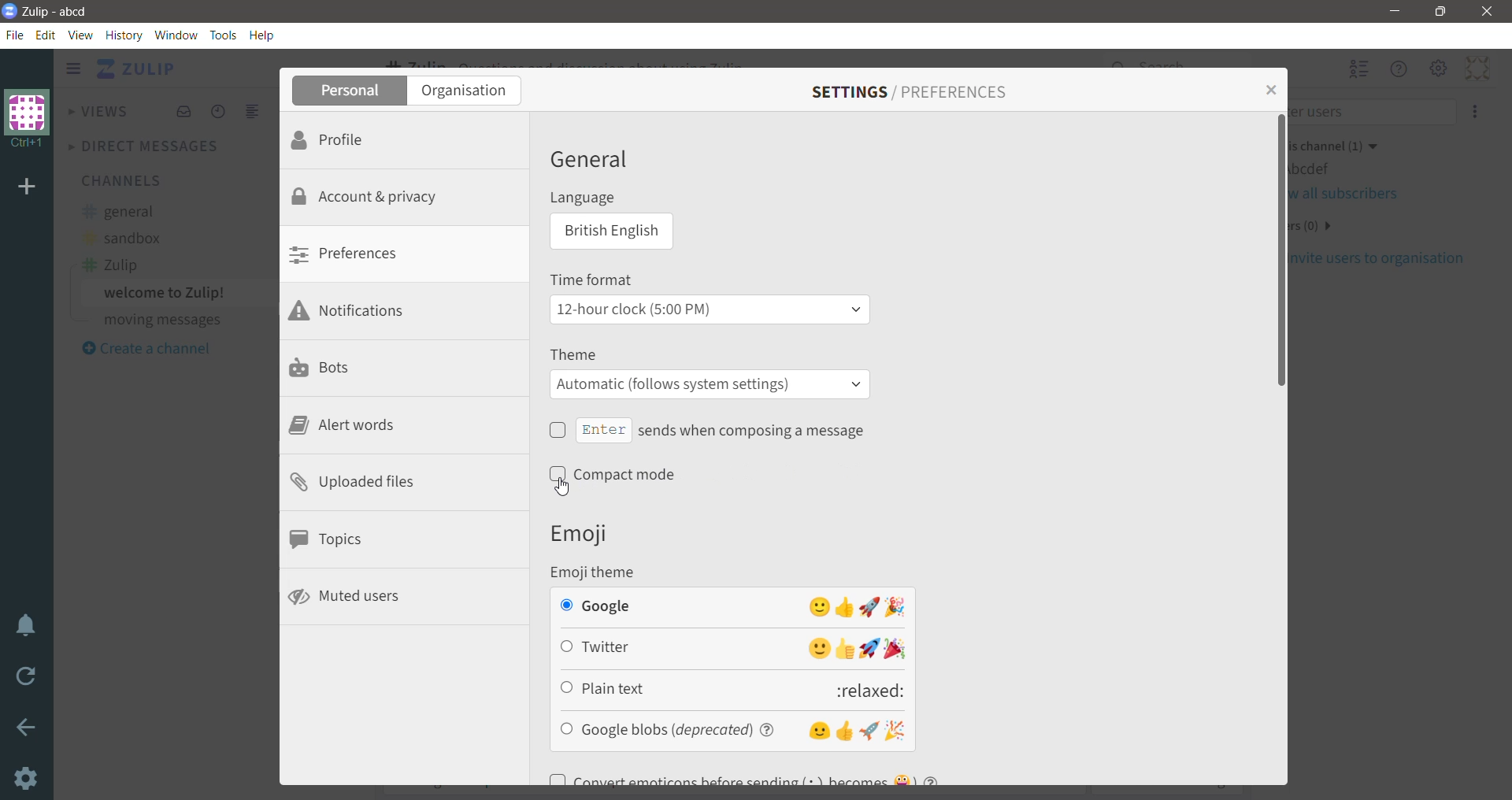 This screenshot has width=1512, height=800. I want to click on Close, so click(1269, 89).